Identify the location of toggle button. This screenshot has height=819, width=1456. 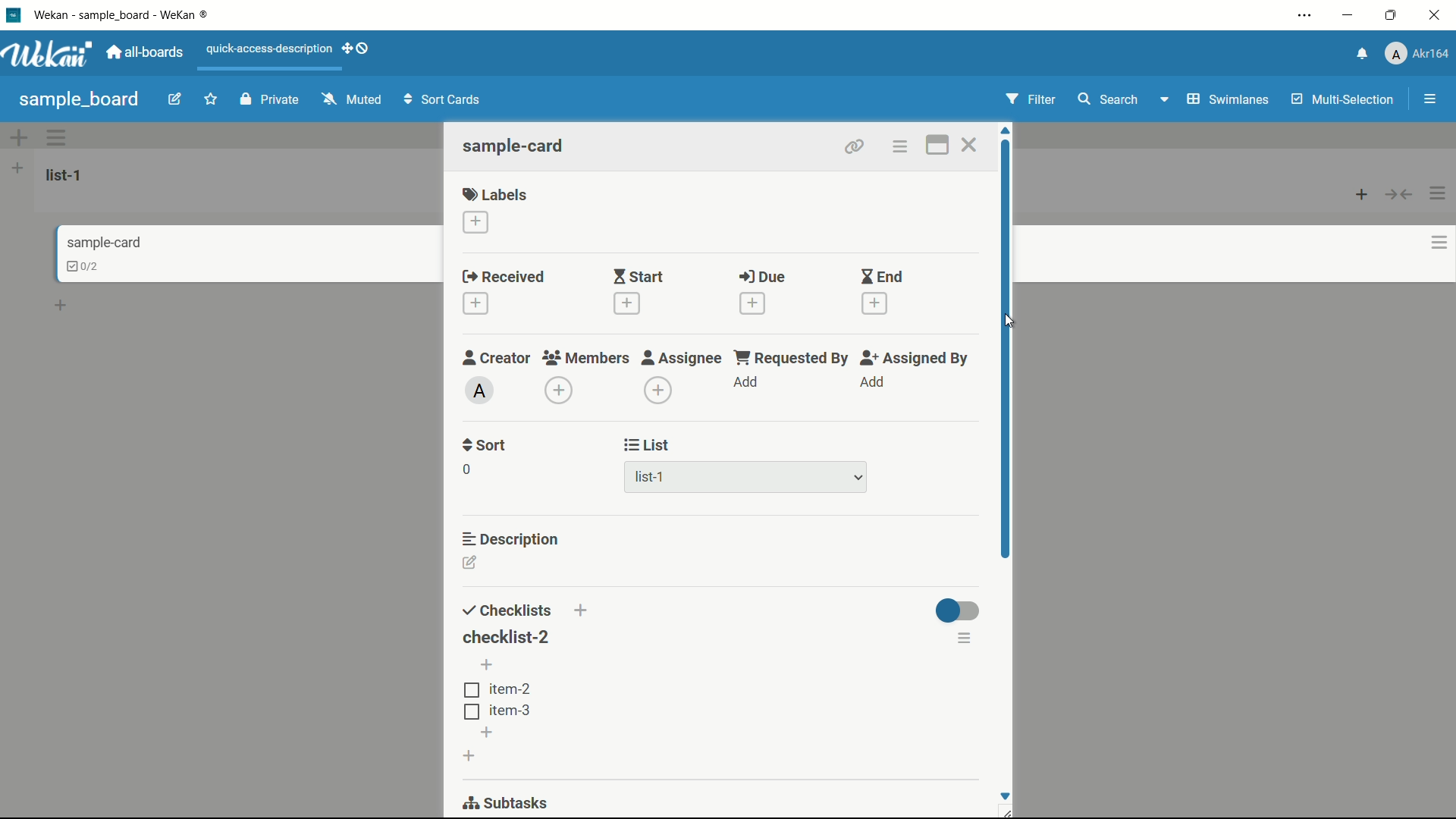
(959, 613).